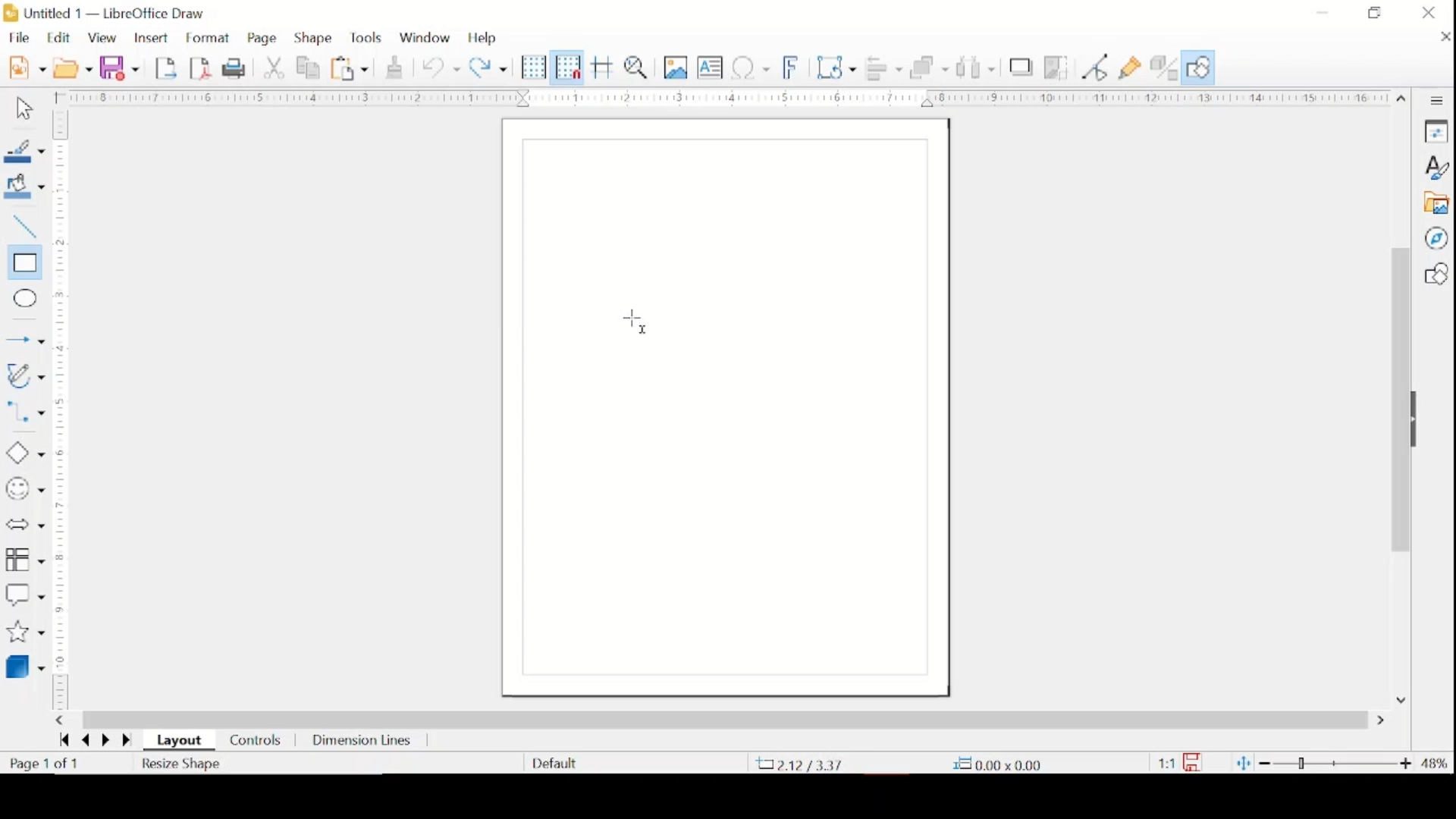  What do you see at coordinates (24, 526) in the screenshot?
I see `insert block arrow` at bounding box center [24, 526].